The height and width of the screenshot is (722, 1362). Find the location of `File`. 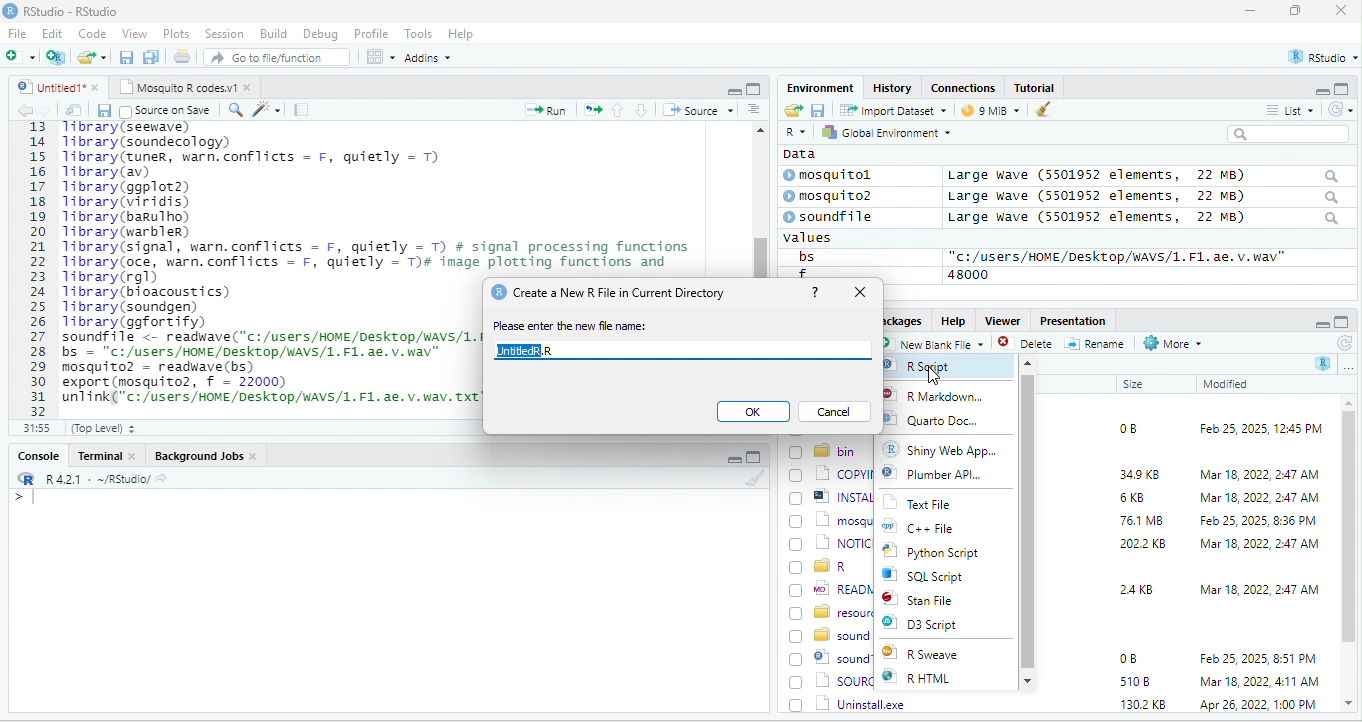

File is located at coordinates (17, 33).